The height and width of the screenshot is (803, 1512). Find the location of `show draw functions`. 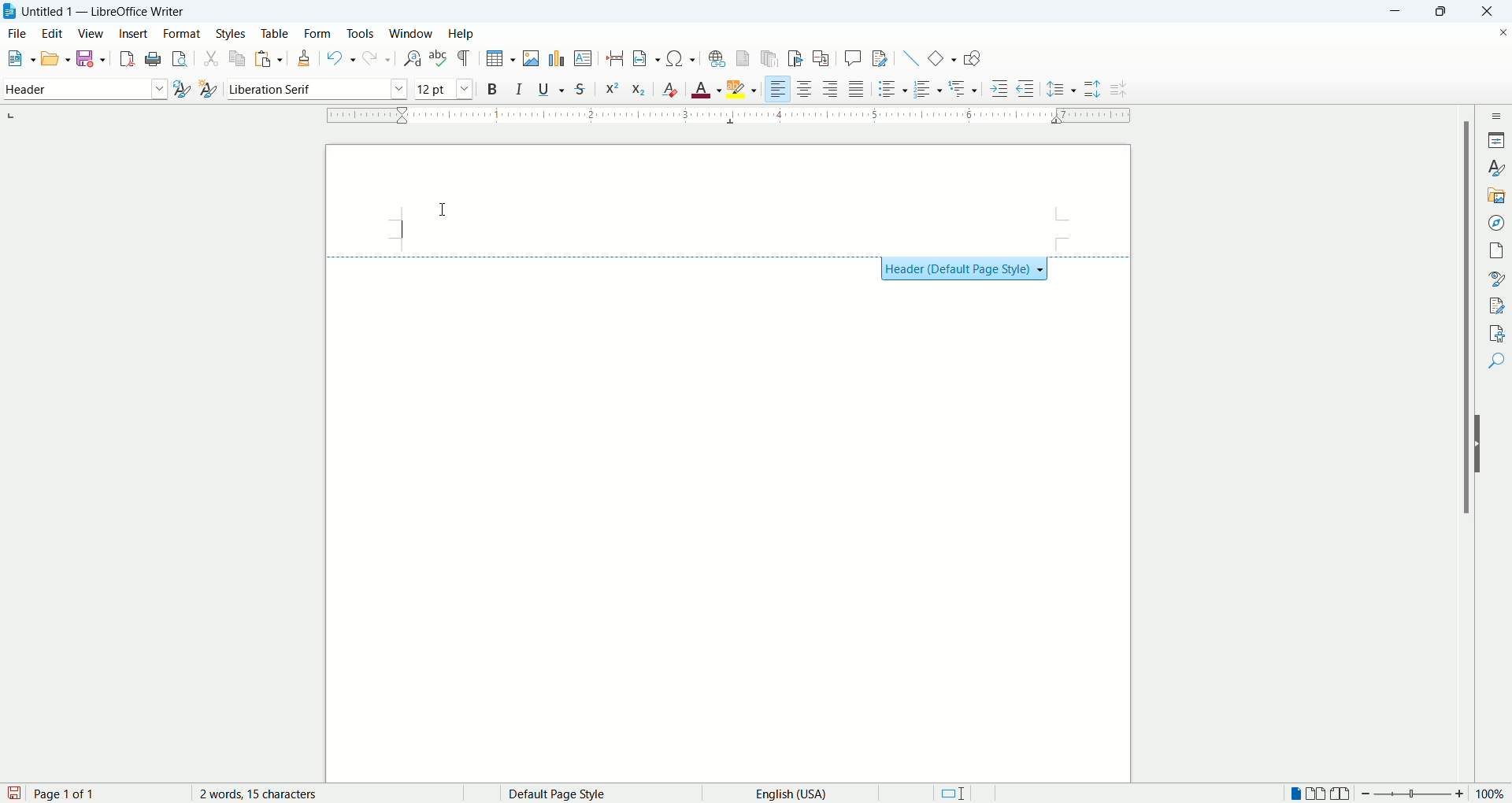

show draw functions is located at coordinates (972, 58).